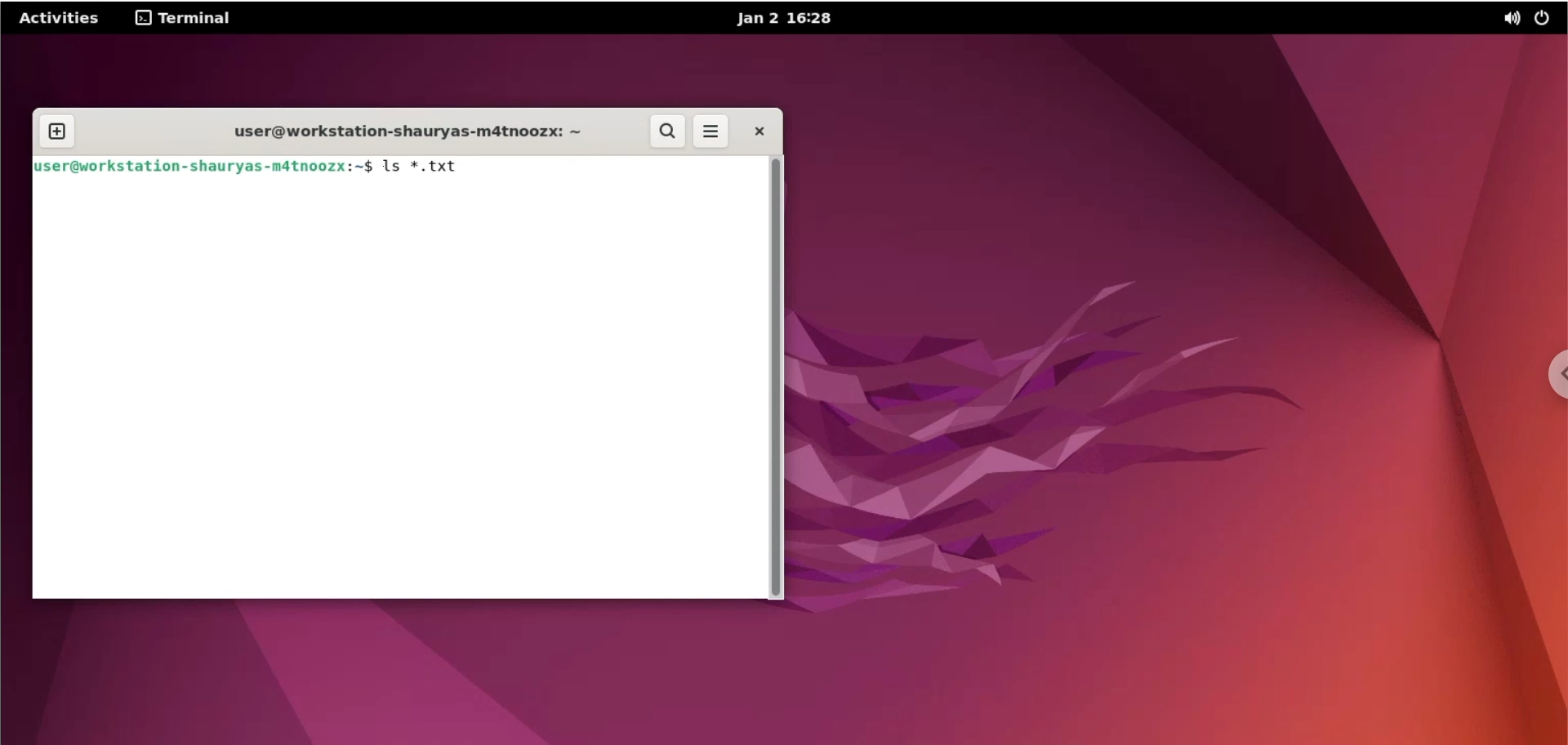  Describe the element at coordinates (1549, 383) in the screenshot. I see `chrome options` at that location.